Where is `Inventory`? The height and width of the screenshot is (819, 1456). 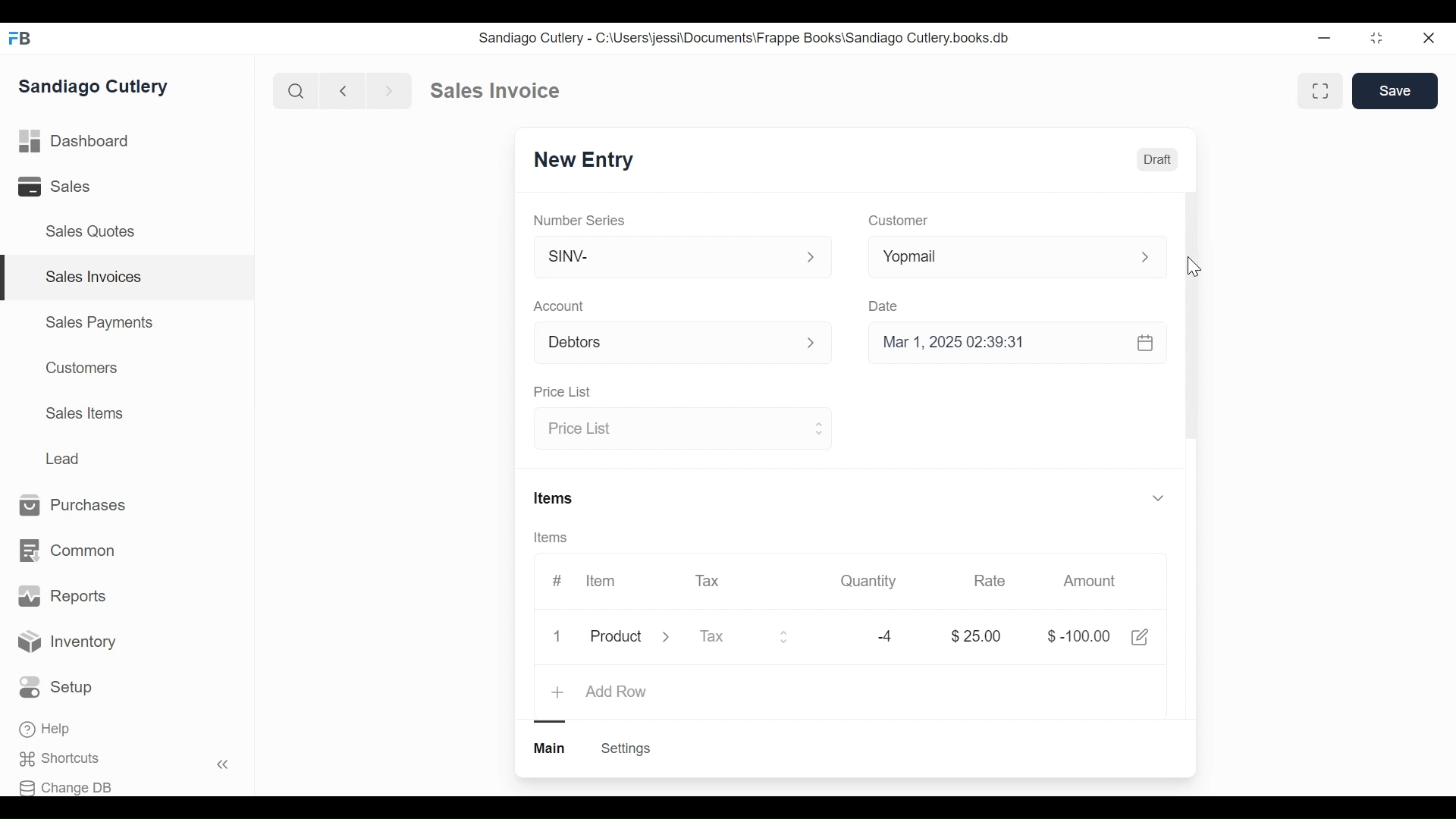 Inventory is located at coordinates (65, 639).